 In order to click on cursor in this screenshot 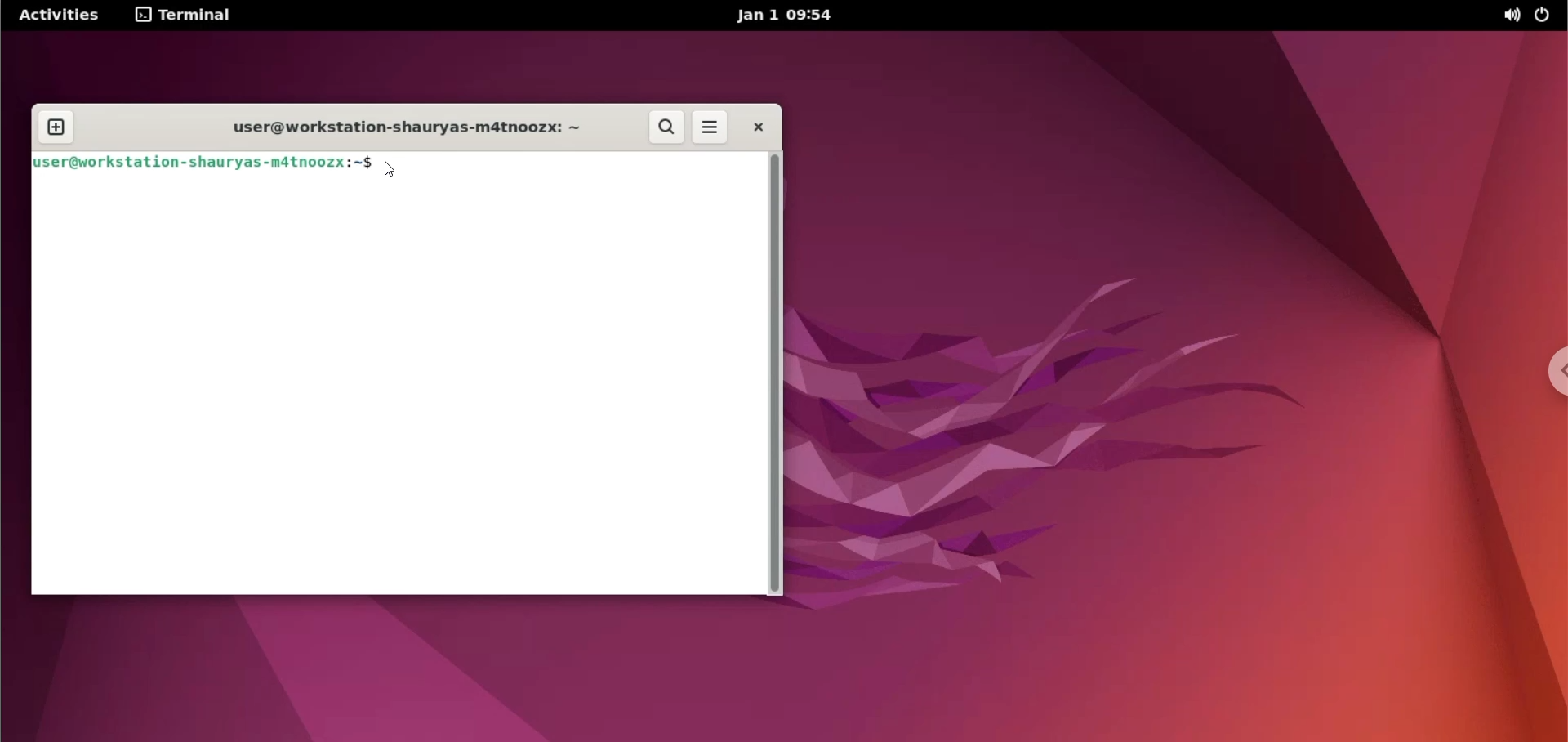, I will do `click(390, 171)`.